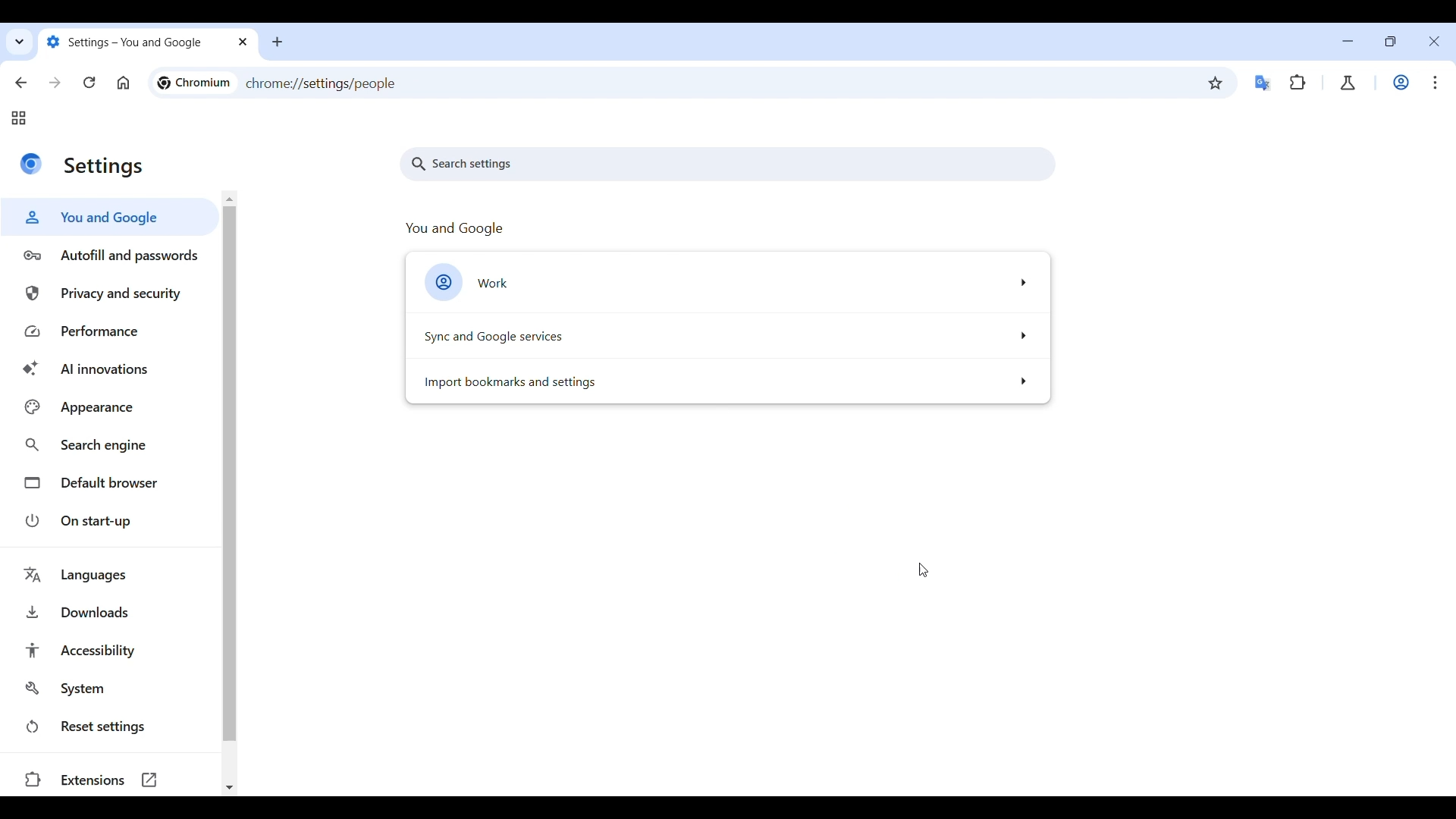 The image size is (1456, 819). What do you see at coordinates (924, 571) in the screenshot?
I see `Cursor position unchanged` at bounding box center [924, 571].